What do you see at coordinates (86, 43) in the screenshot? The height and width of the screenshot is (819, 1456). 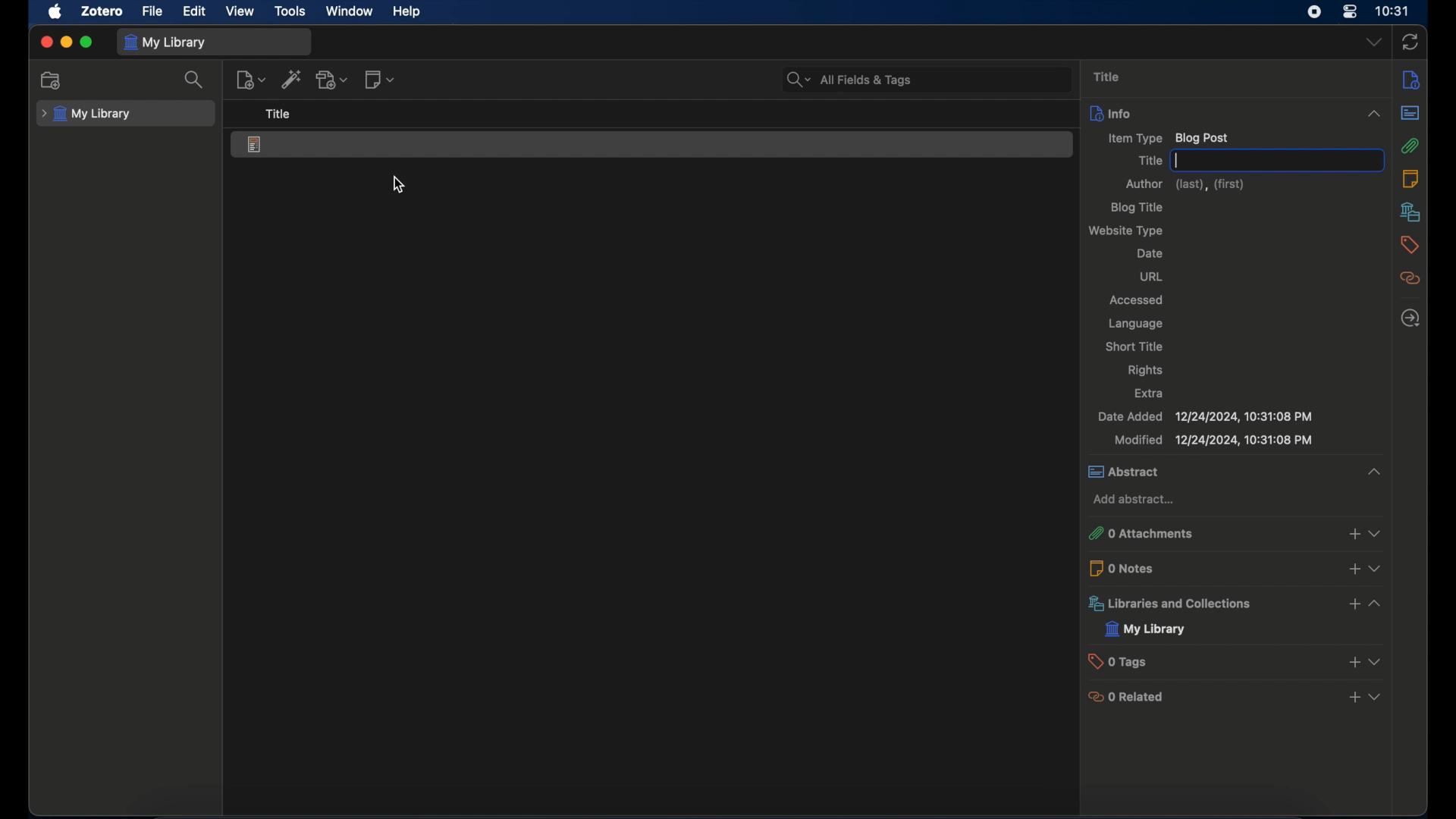 I see `maximize` at bounding box center [86, 43].